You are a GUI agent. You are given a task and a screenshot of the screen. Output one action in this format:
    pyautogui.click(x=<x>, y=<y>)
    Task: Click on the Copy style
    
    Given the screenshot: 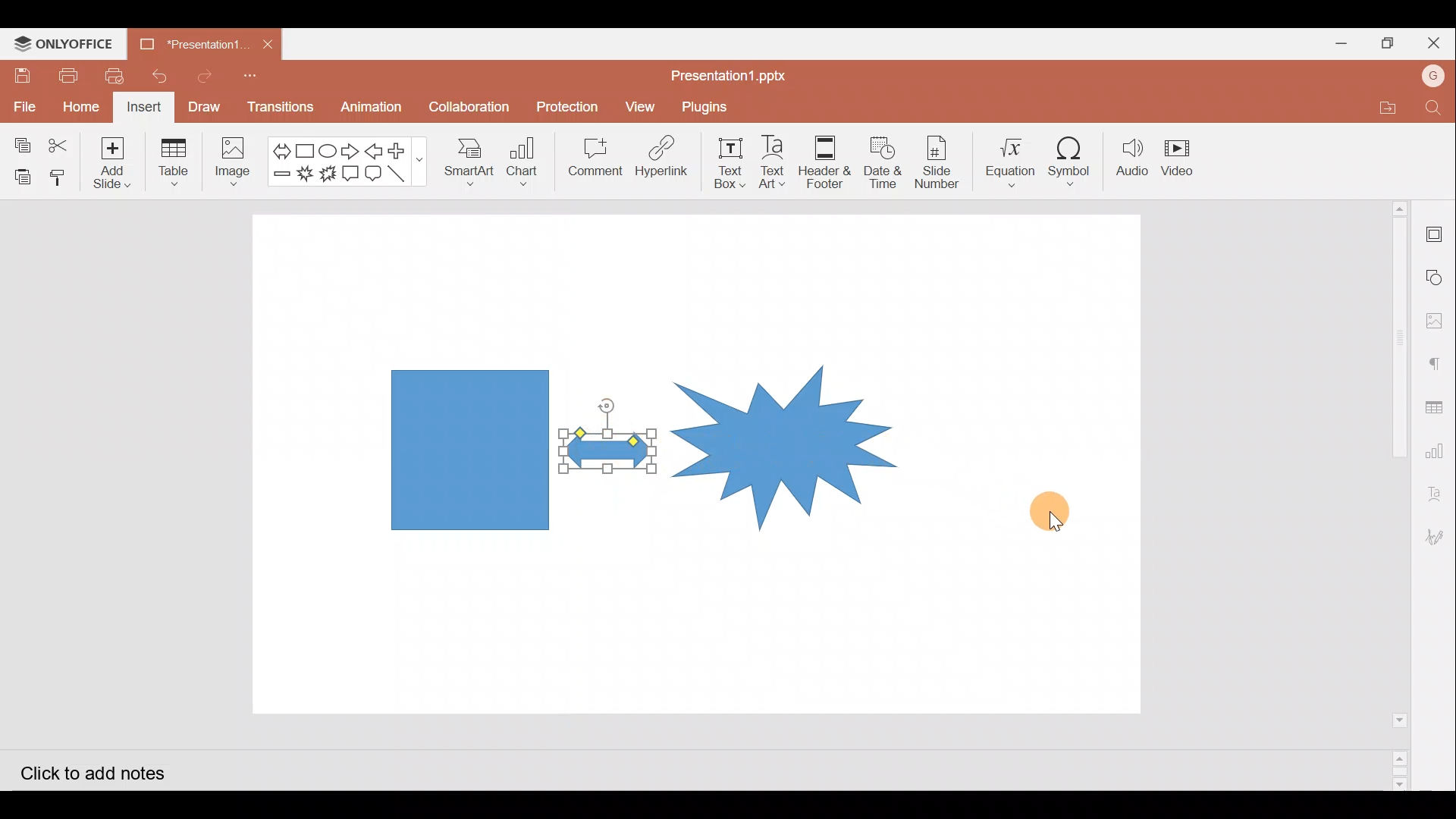 What is the action you would take?
    pyautogui.click(x=63, y=177)
    